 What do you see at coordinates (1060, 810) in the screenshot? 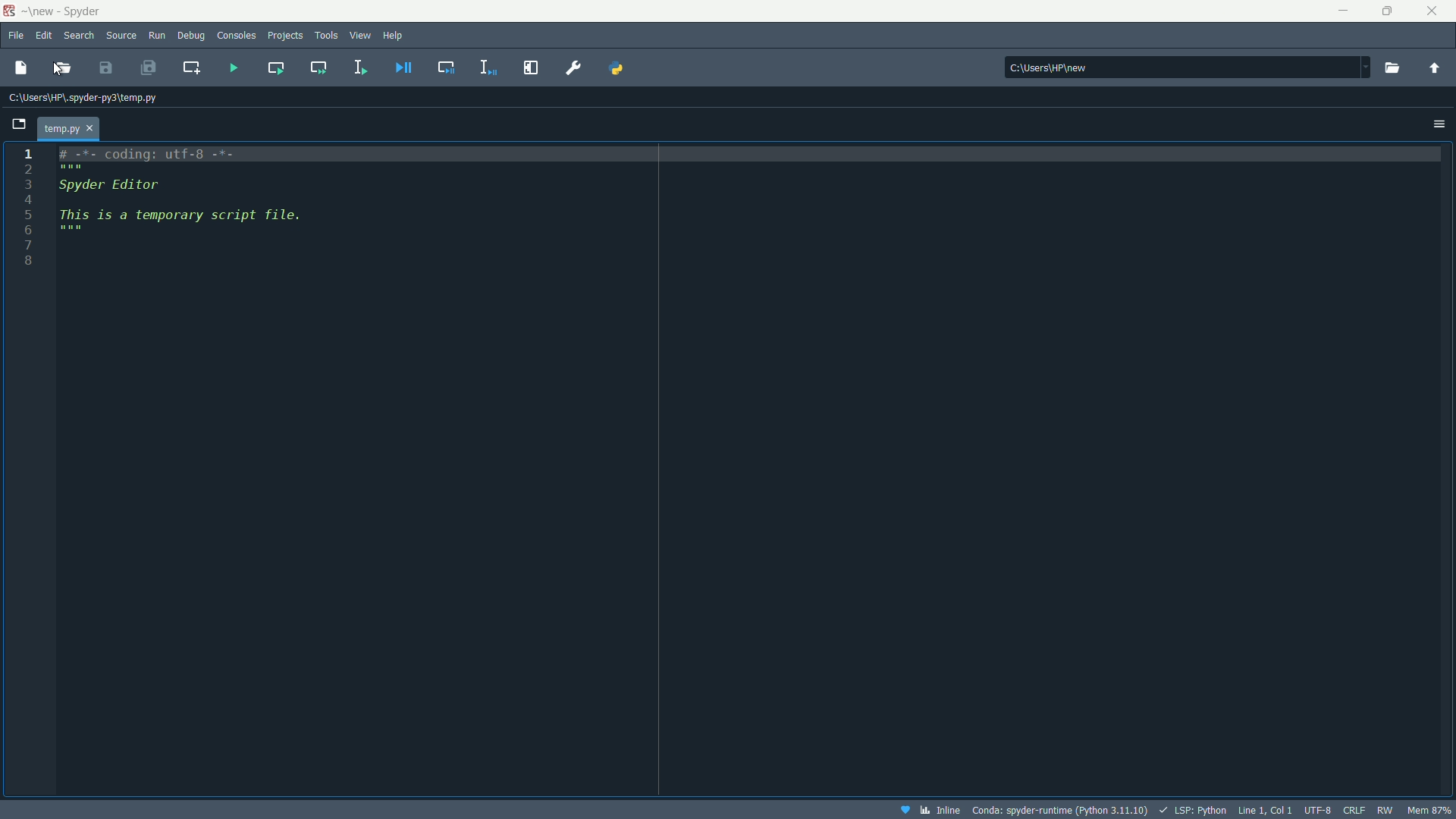
I see `interpreter` at bounding box center [1060, 810].